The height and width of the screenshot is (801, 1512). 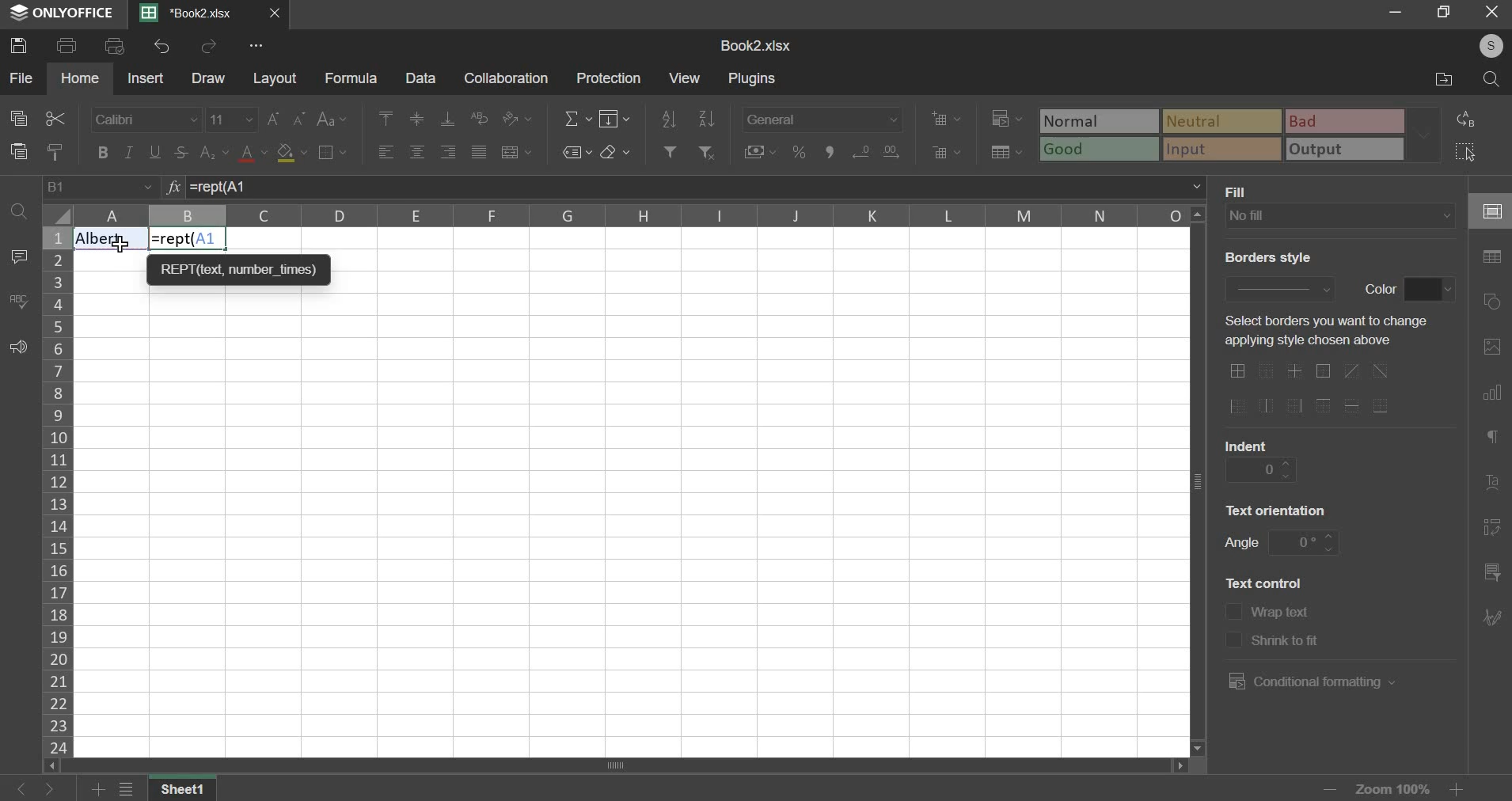 What do you see at coordinates (823, 118) in the screenshot?
I see `number format` at bounding box center [823, 118].